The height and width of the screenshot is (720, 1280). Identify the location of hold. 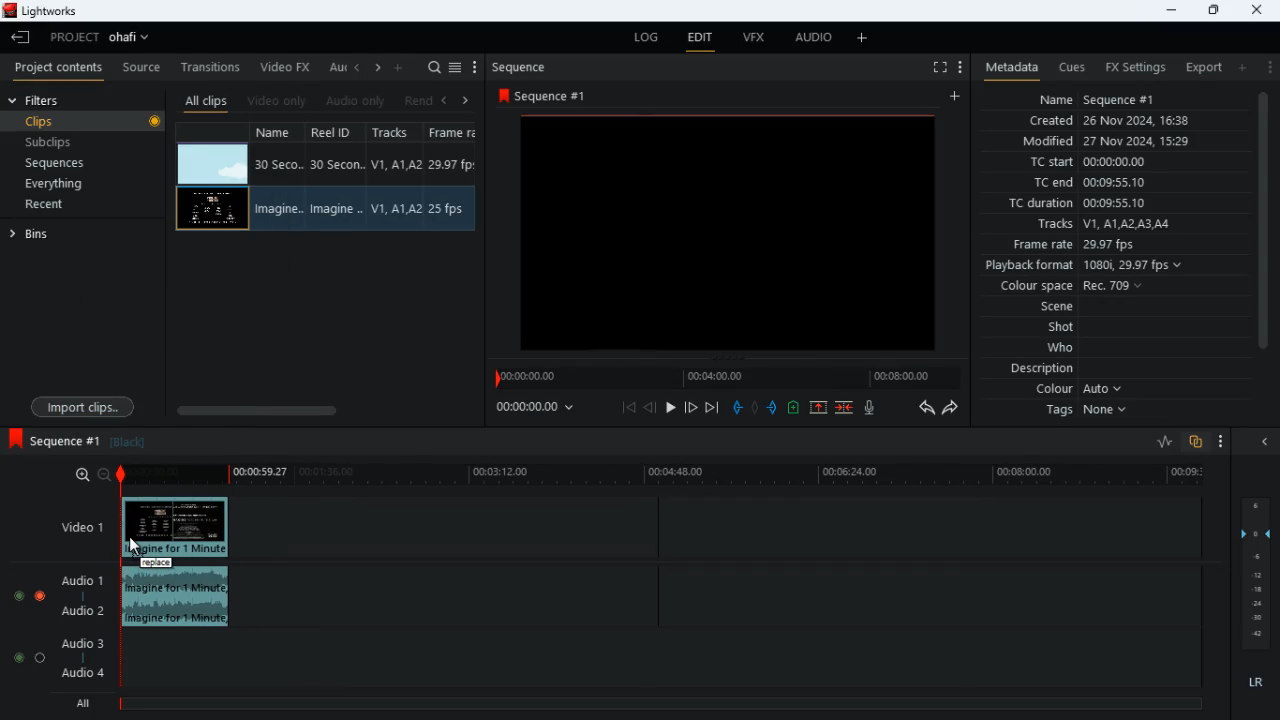
(755, 408).